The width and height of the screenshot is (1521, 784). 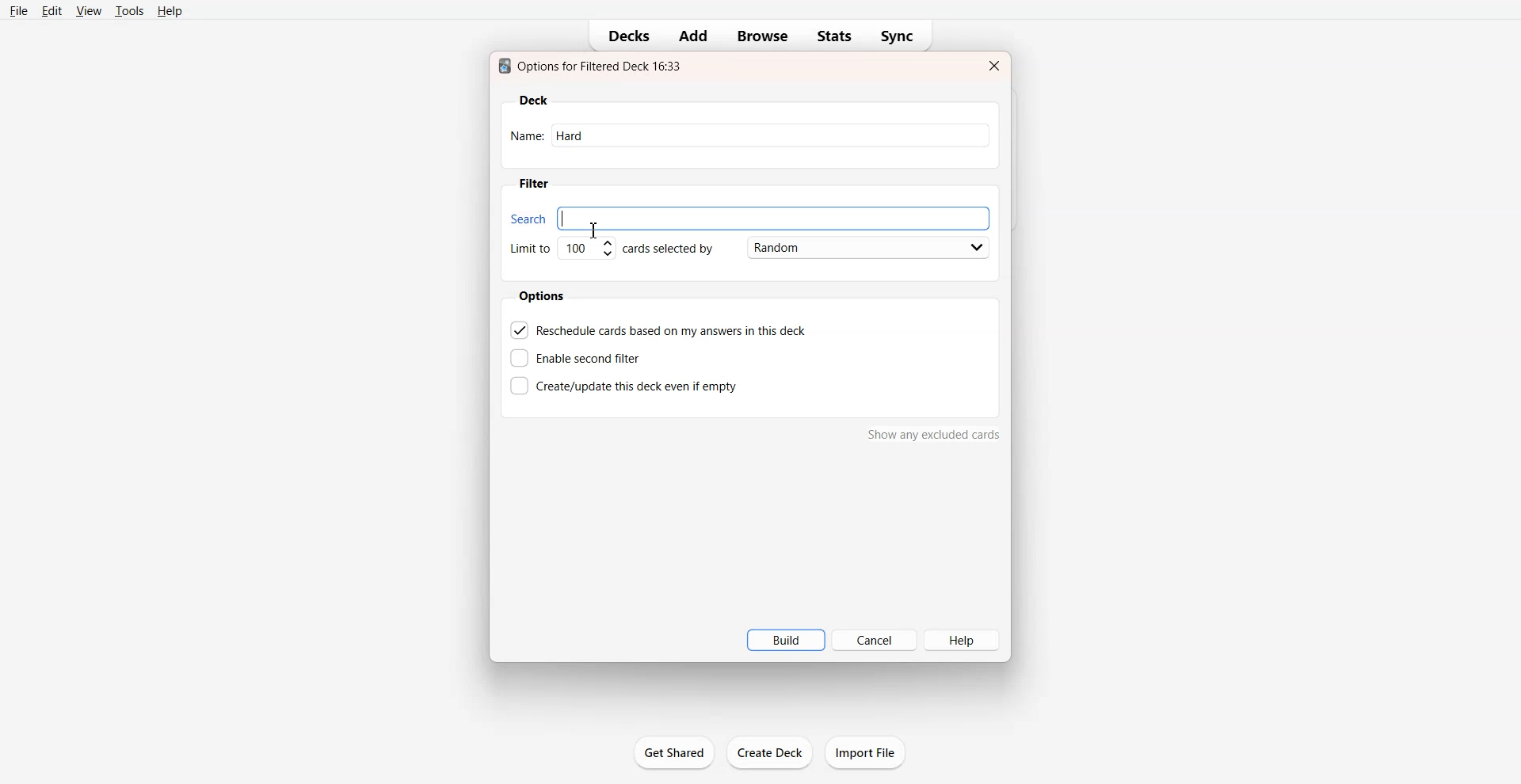 What do you see at coordinates (581, 358) in the screenshot?
I see `Enable second filter` at bounding box center [581, 358].